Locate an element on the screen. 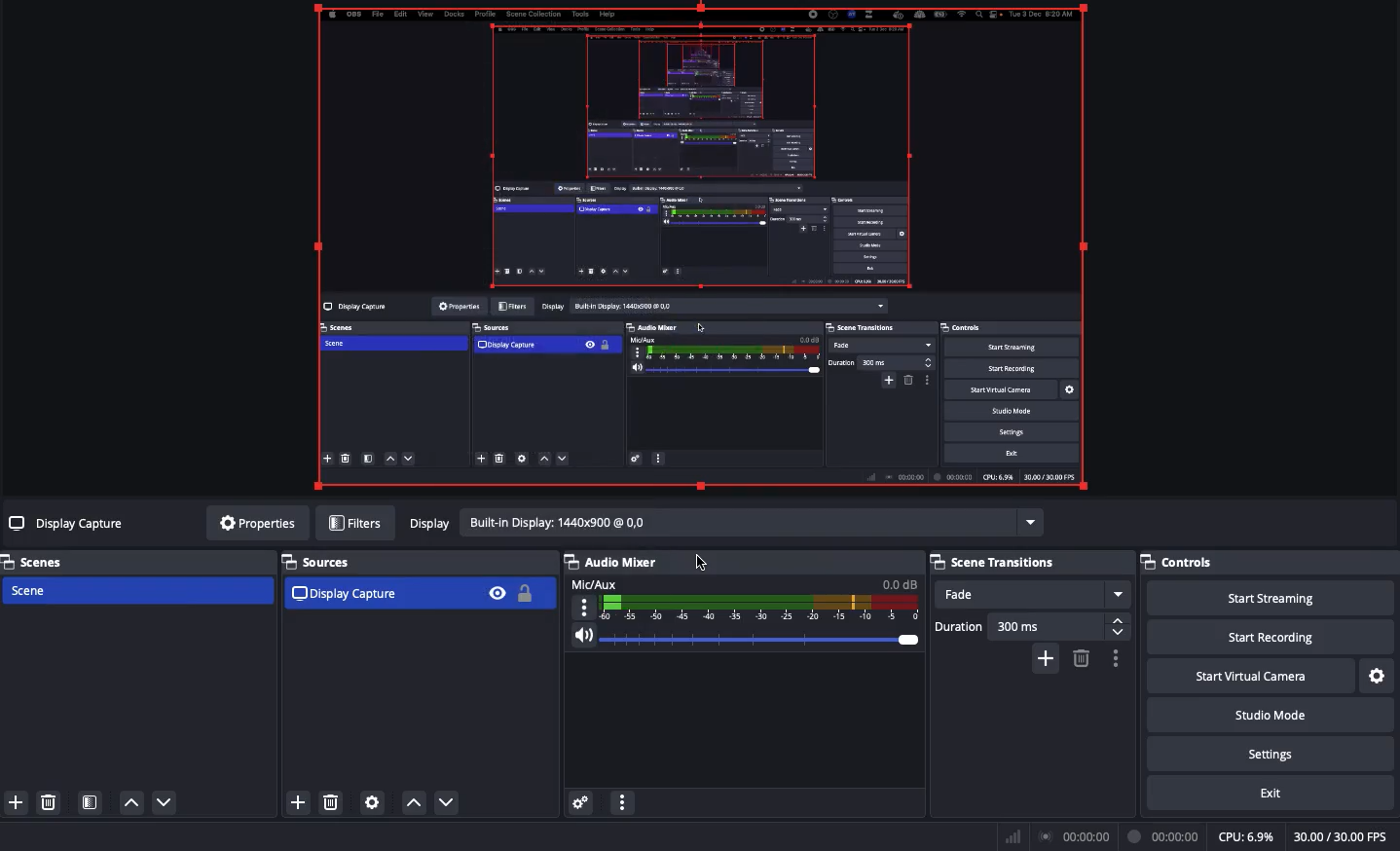 The image size is (1400, 851). Add is located at coordinates (18, 803).